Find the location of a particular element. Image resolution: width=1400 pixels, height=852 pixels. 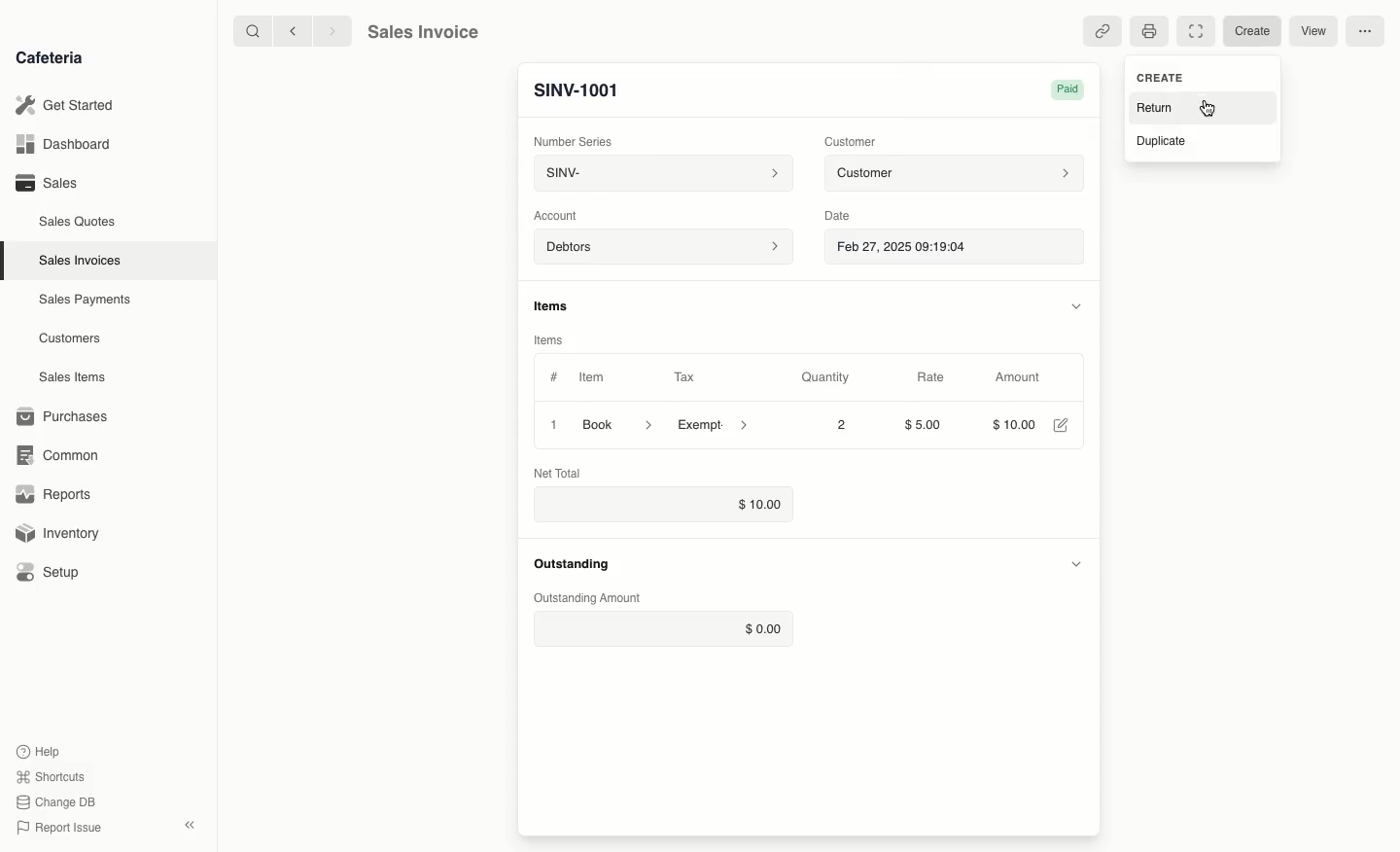

Dashboard is located at coordinates (63, 144).